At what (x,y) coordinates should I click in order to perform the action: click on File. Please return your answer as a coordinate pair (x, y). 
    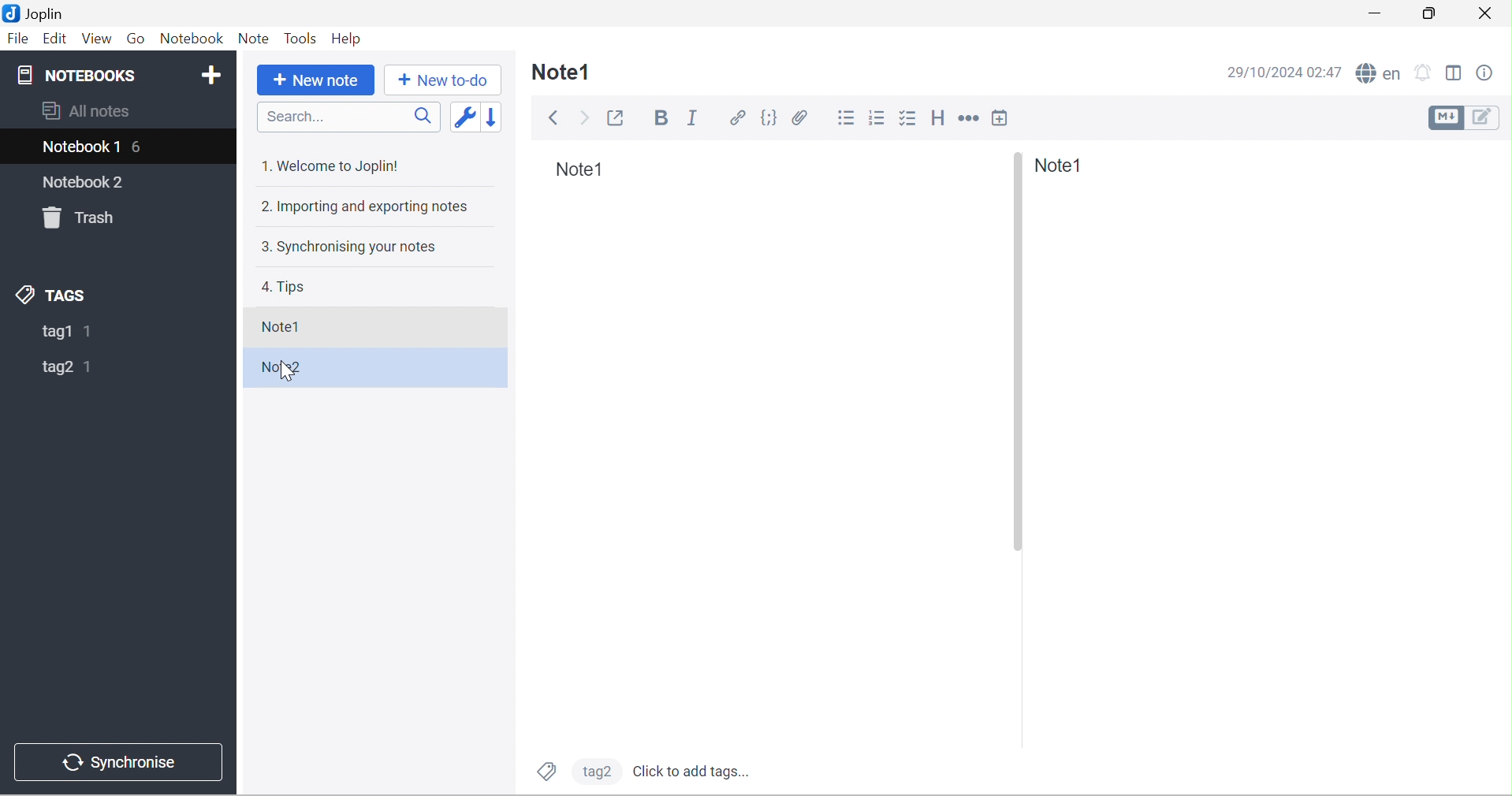
    Looking at the image, I should click on (17, 39).